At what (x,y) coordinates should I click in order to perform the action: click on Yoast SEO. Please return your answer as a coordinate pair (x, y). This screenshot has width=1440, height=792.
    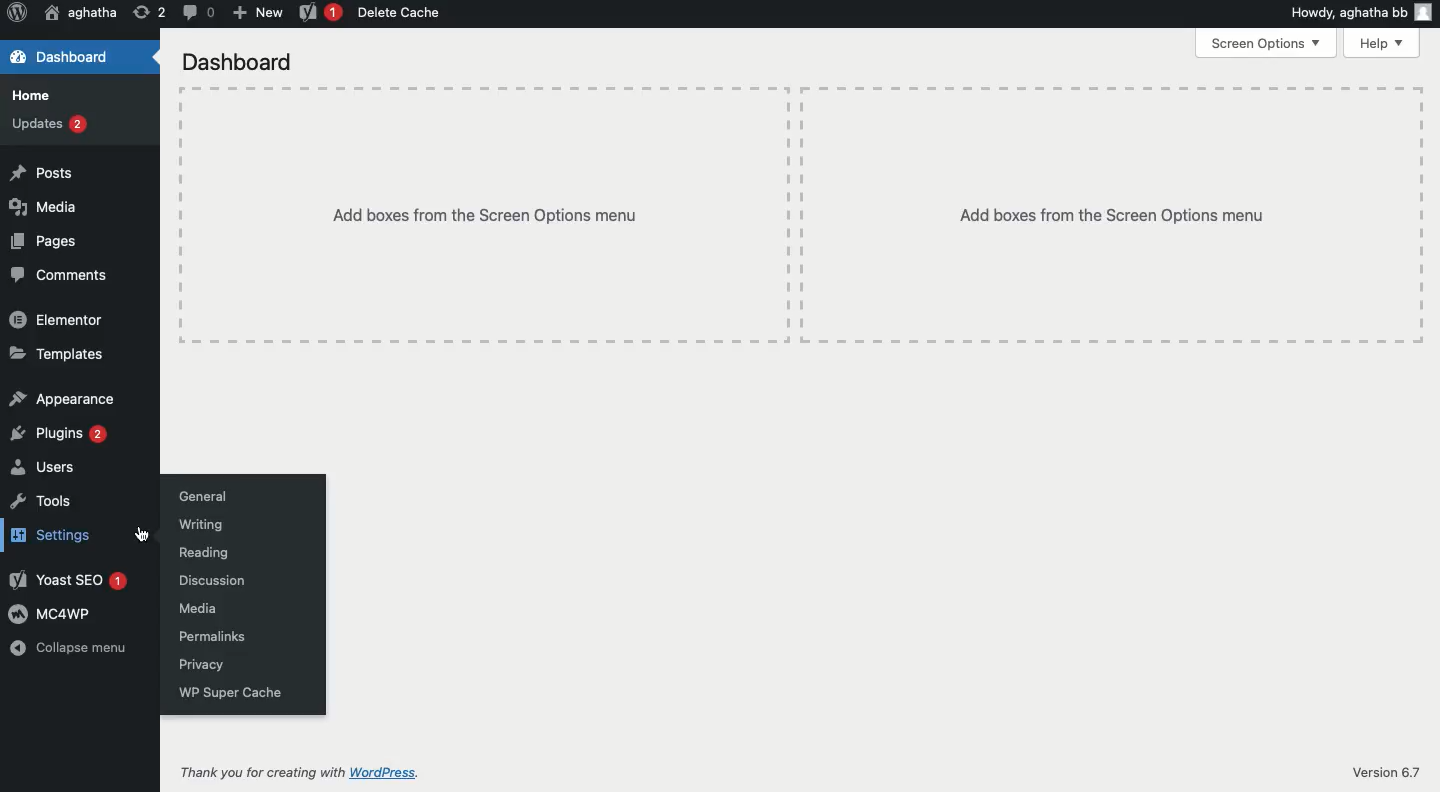
    Looking at the image, I should click on (67, 579).